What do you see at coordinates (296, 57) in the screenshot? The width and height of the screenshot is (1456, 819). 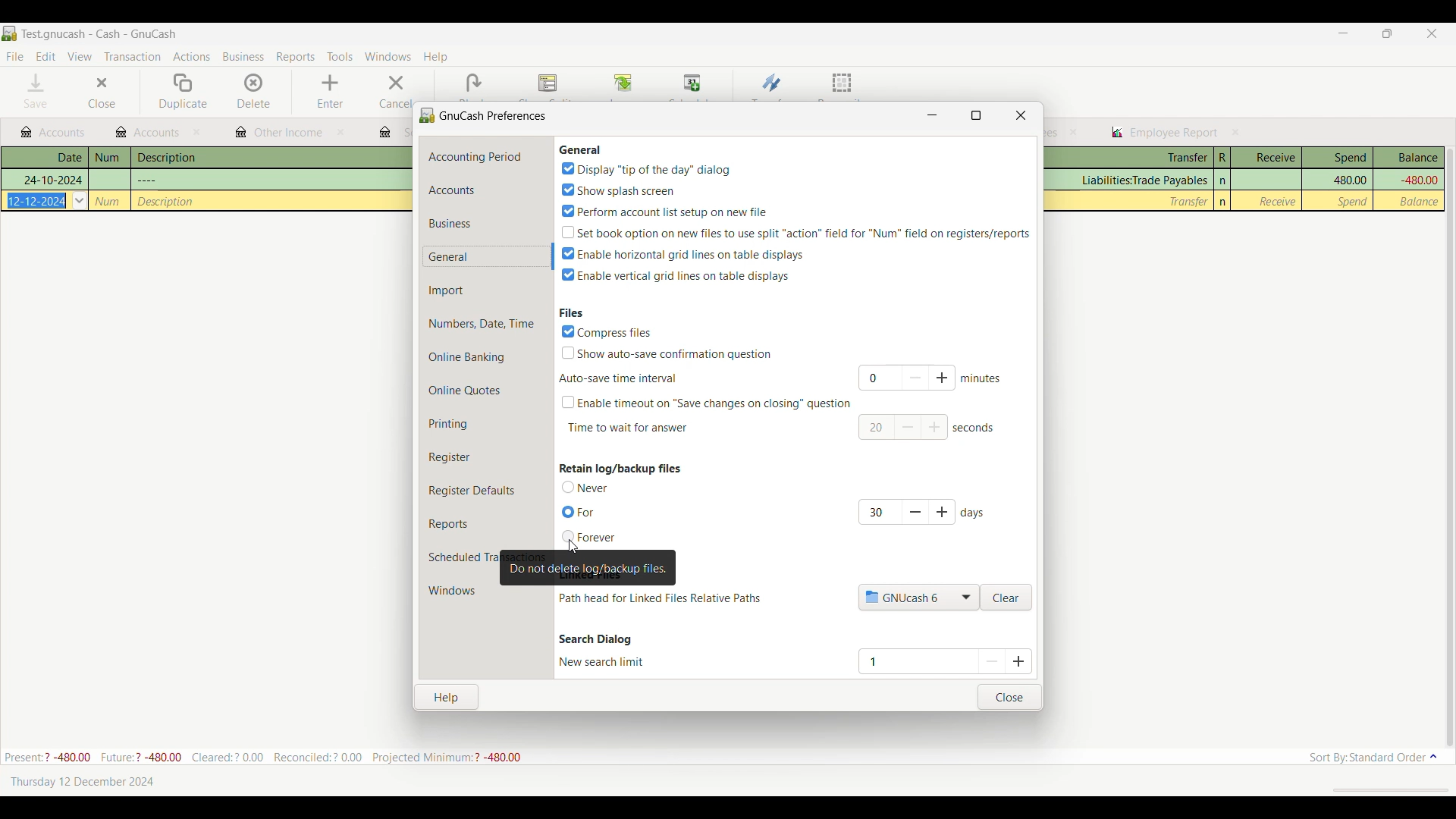 I see `Reports menu` at bounding box center [296, 57].